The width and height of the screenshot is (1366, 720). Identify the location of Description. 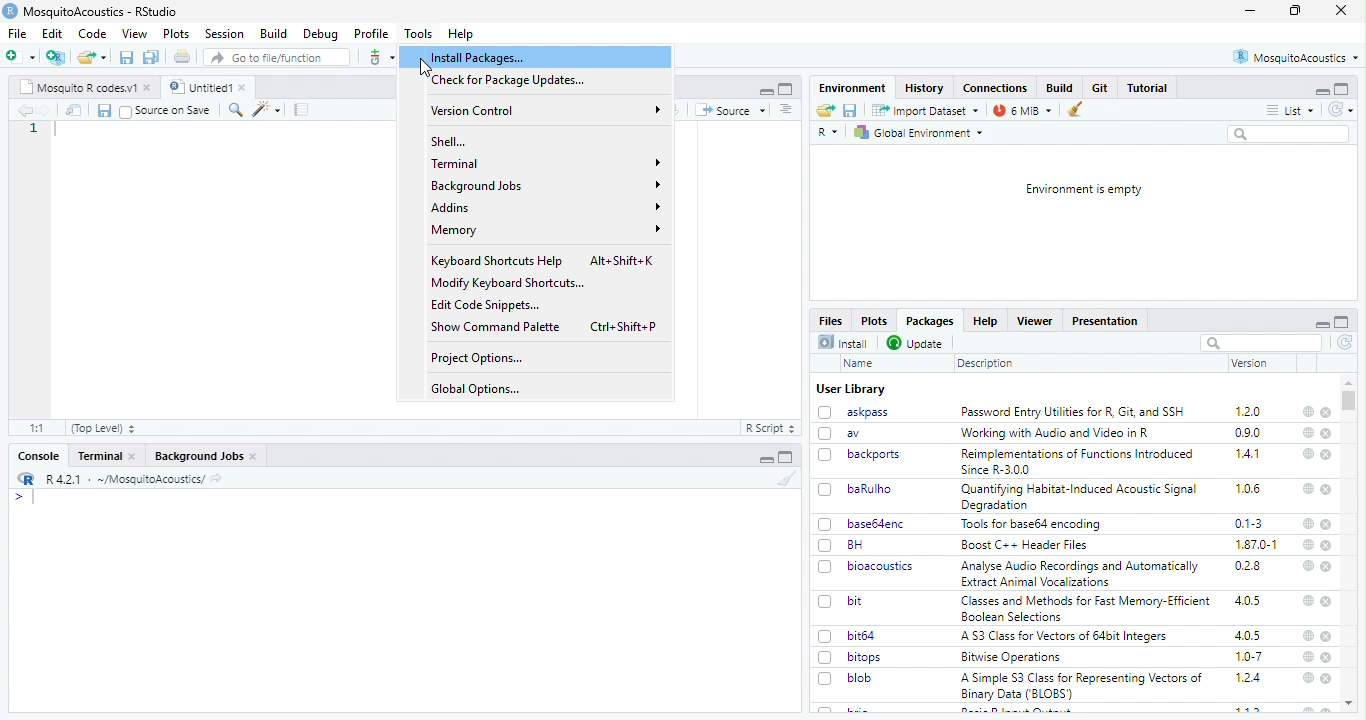
(986, 365).